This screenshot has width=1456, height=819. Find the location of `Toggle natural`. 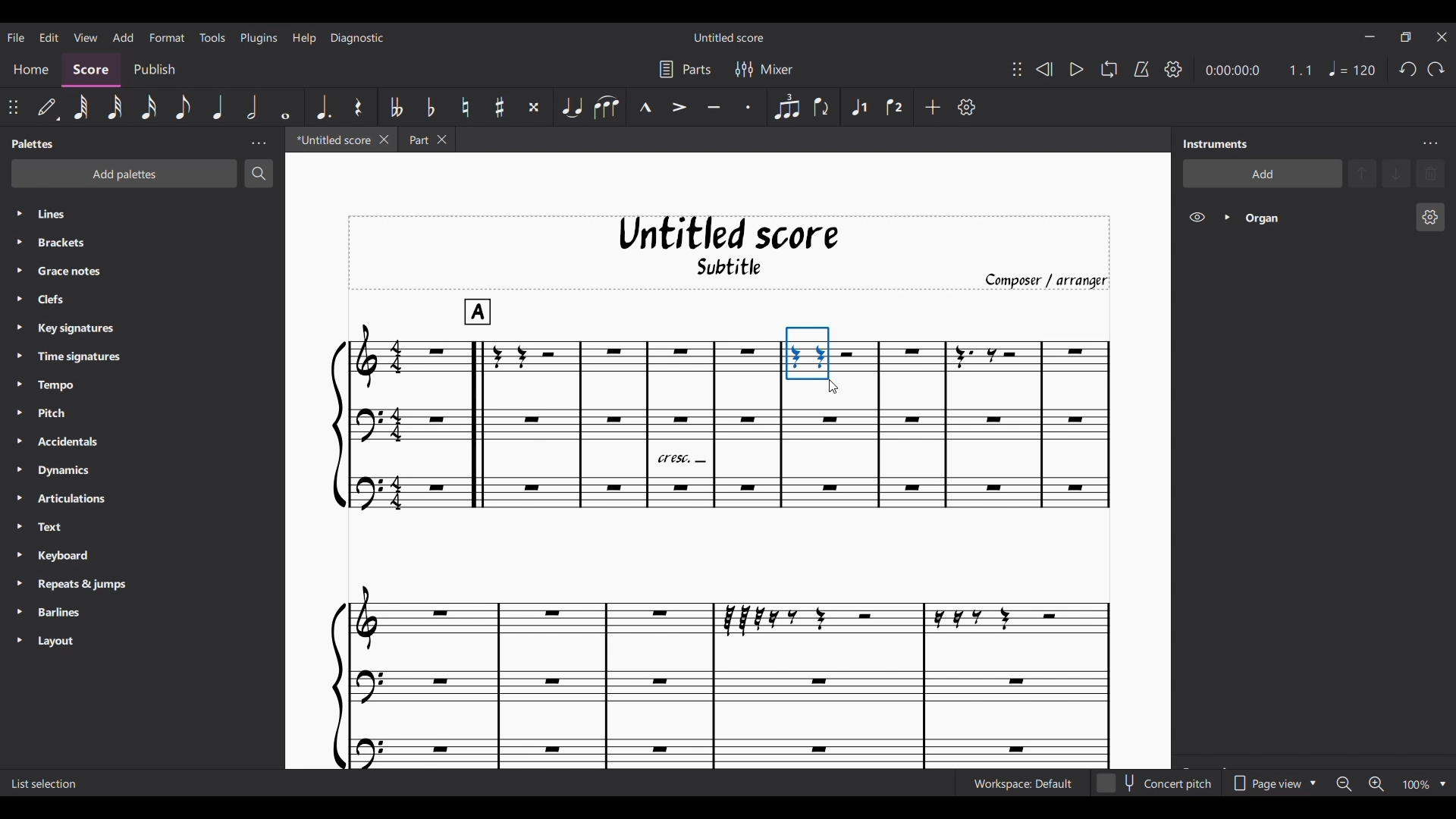

Toggle natural is located at coordinates (465, 108).